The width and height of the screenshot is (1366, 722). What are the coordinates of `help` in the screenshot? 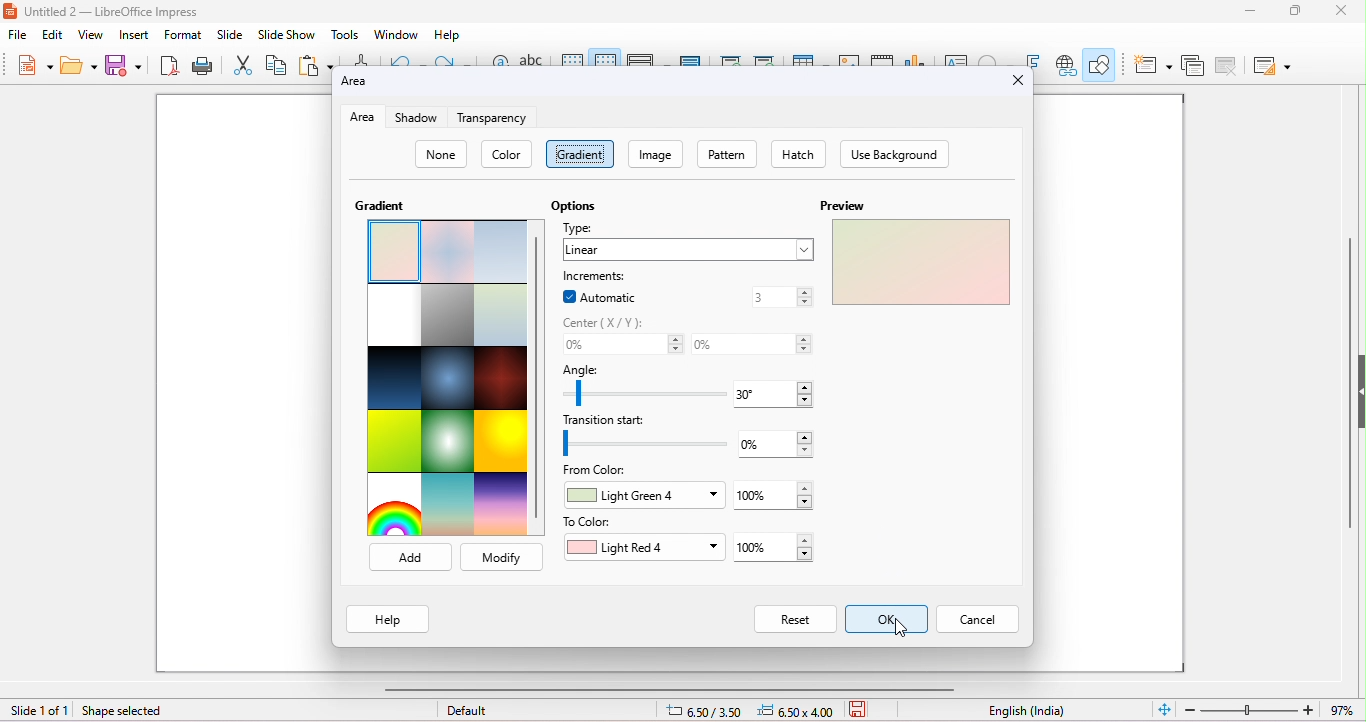 It's located at (387, 618).